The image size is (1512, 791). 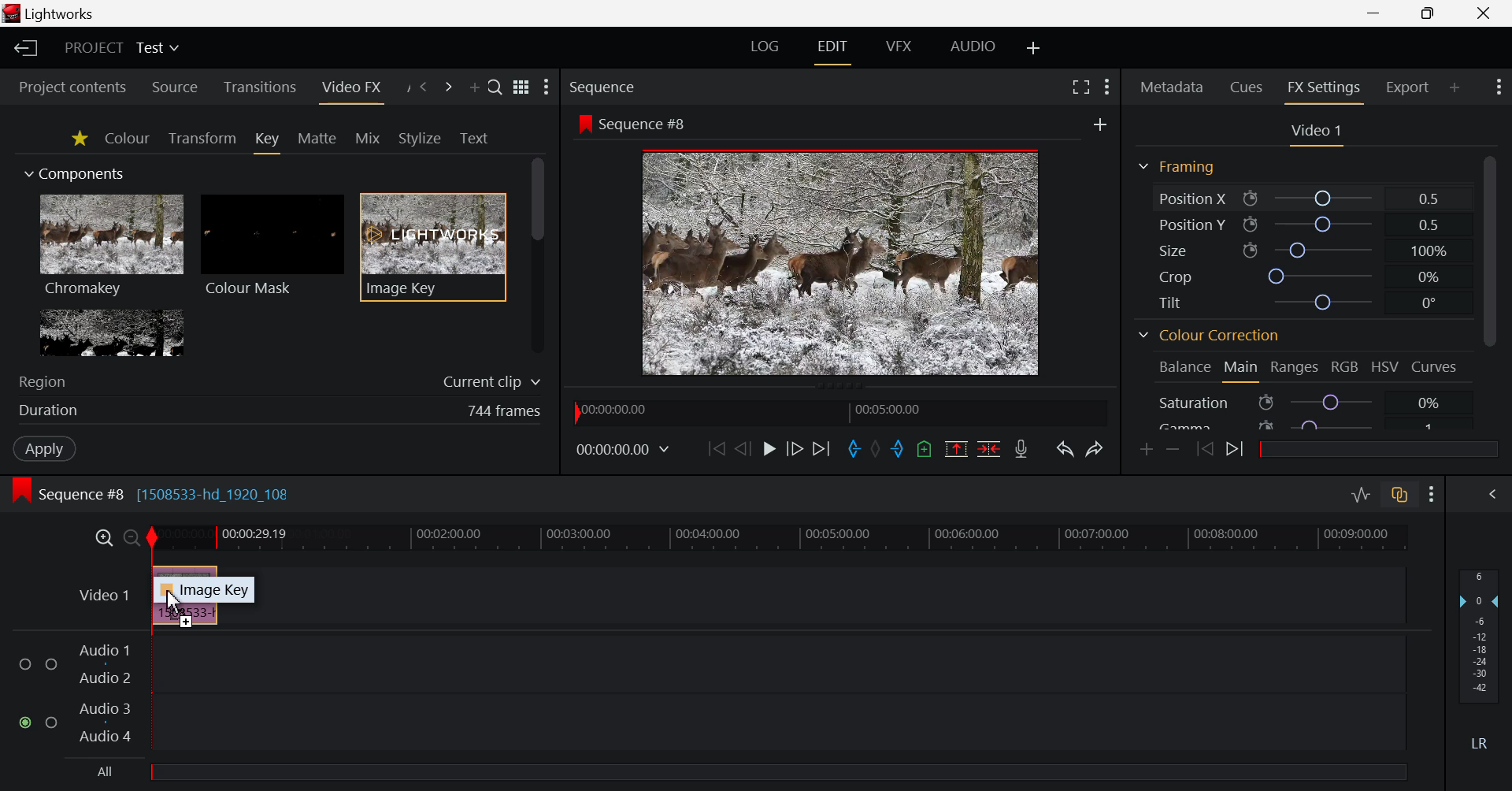 I want to click on Redo, so click(x=1095, y=450).